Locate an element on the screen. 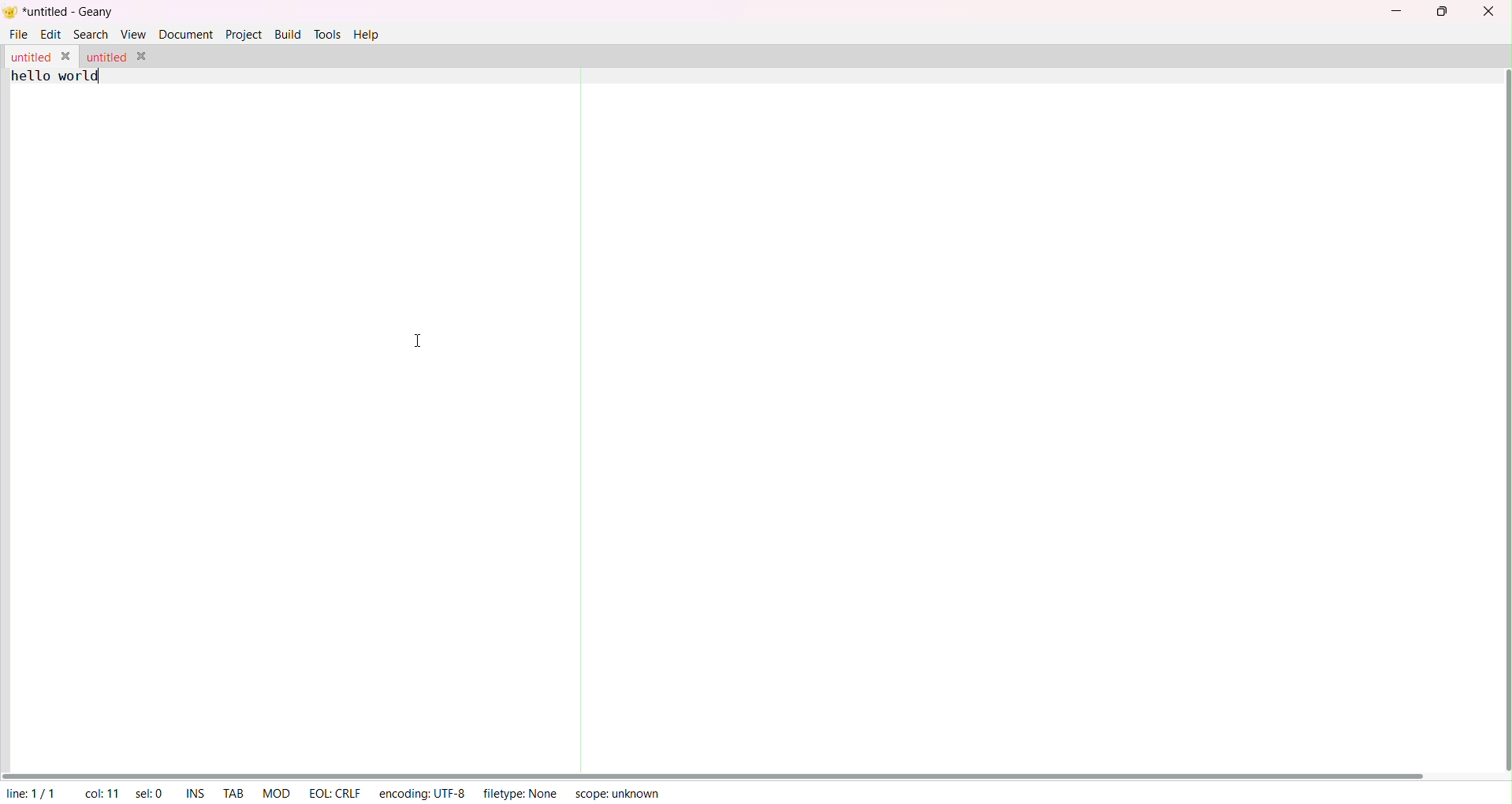 This screenshot has height=804, width=1512. build is located at coordinates (286, 33).